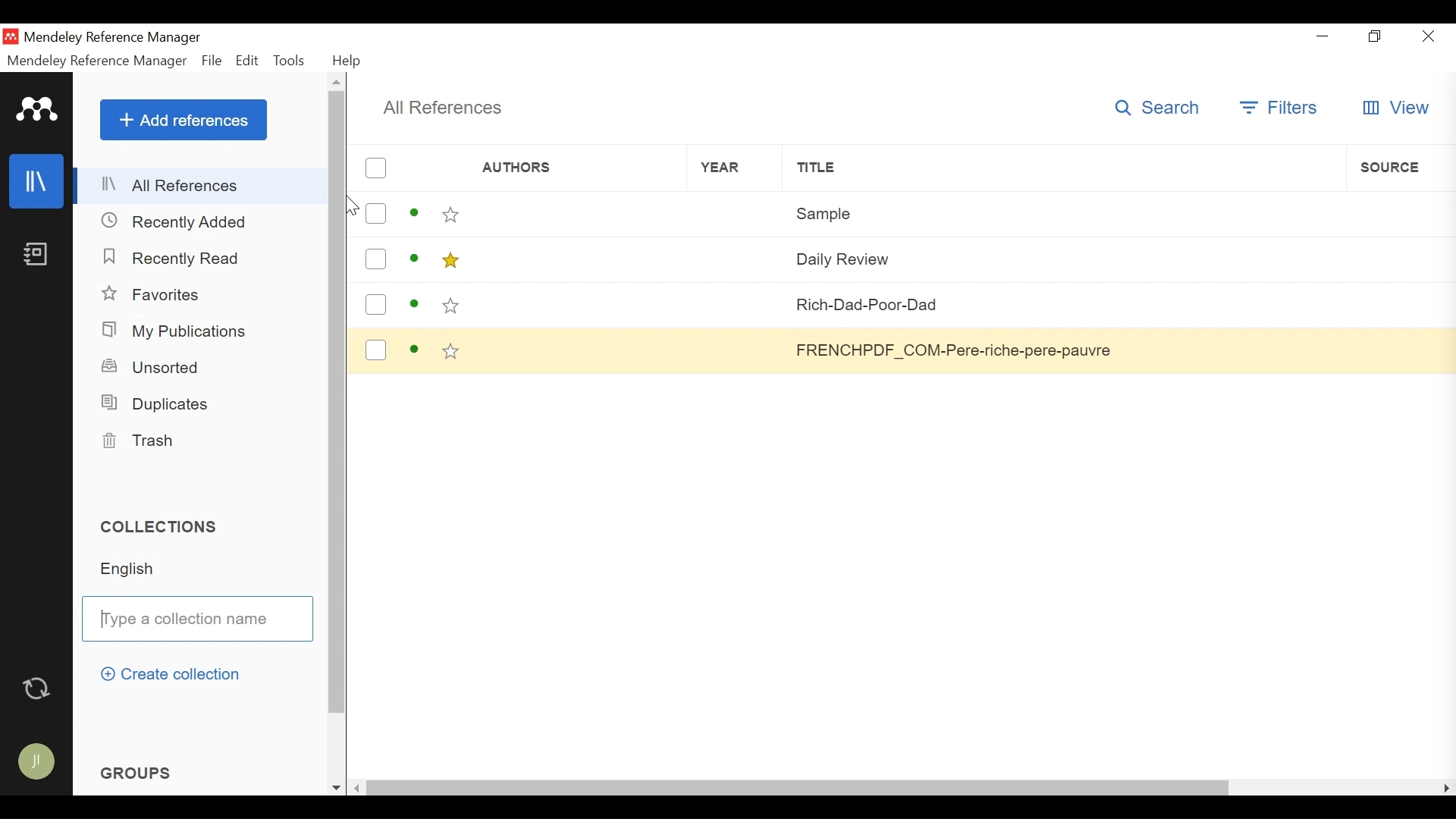 This screenshot has height=819, width=1456. Describe the element at coordinates (1064, 303) in the screenshot. I see `Rich-Dad-Poor-Dad` at that location.